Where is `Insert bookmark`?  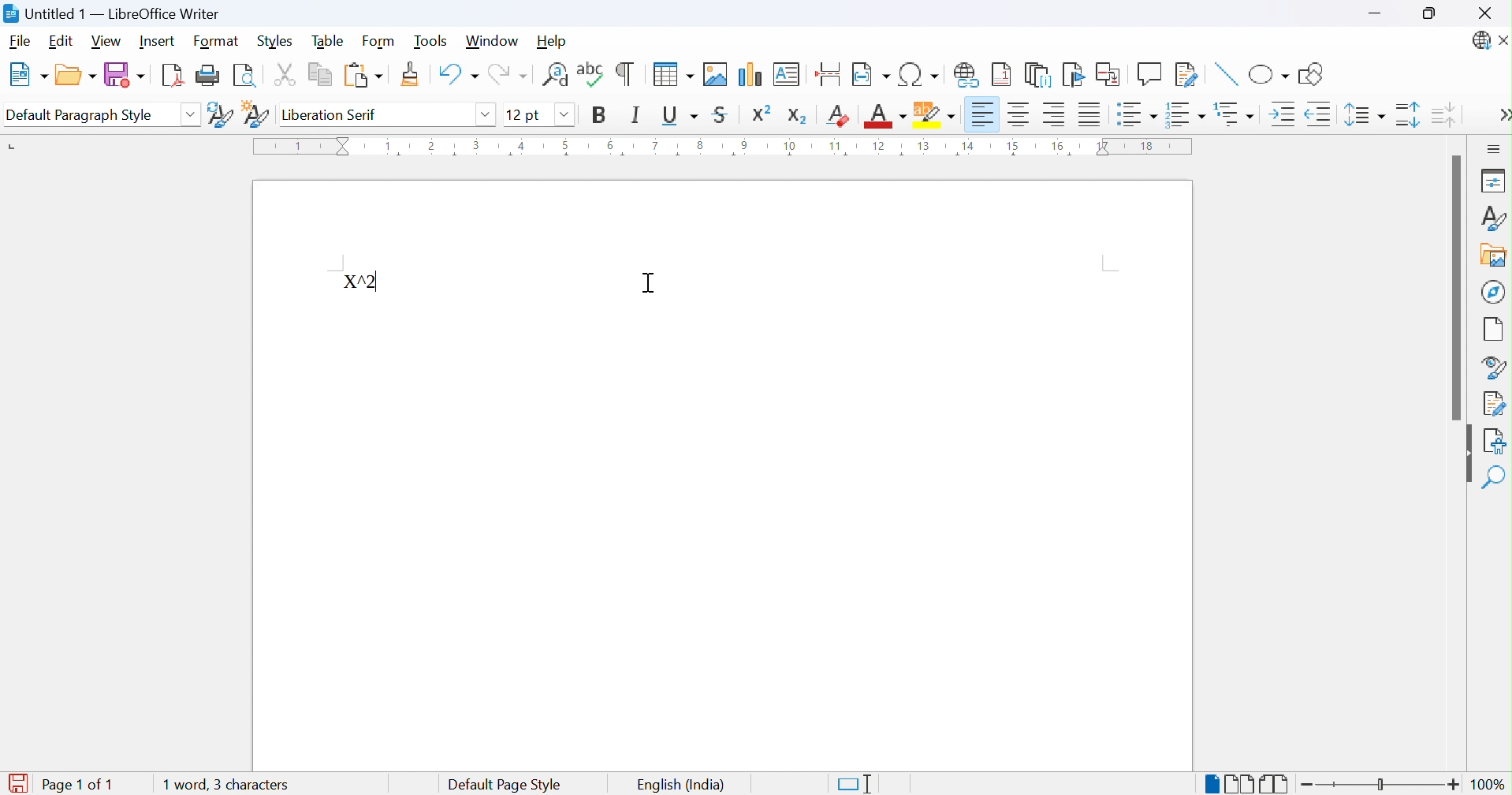 Insert bookmark is located at coordinates (1075, 75).